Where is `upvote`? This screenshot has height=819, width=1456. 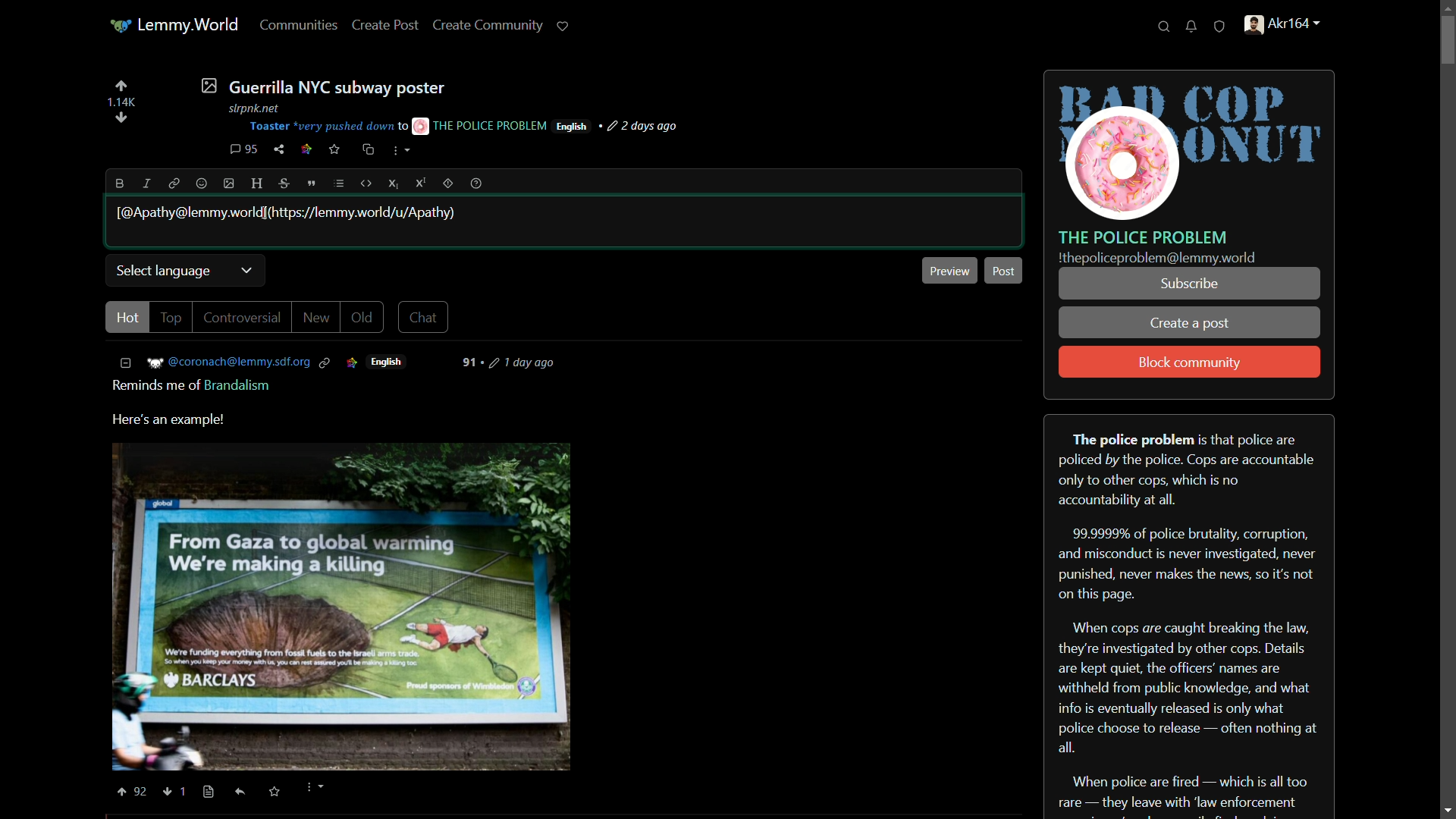
upvote is located at coordinates (121, 86).